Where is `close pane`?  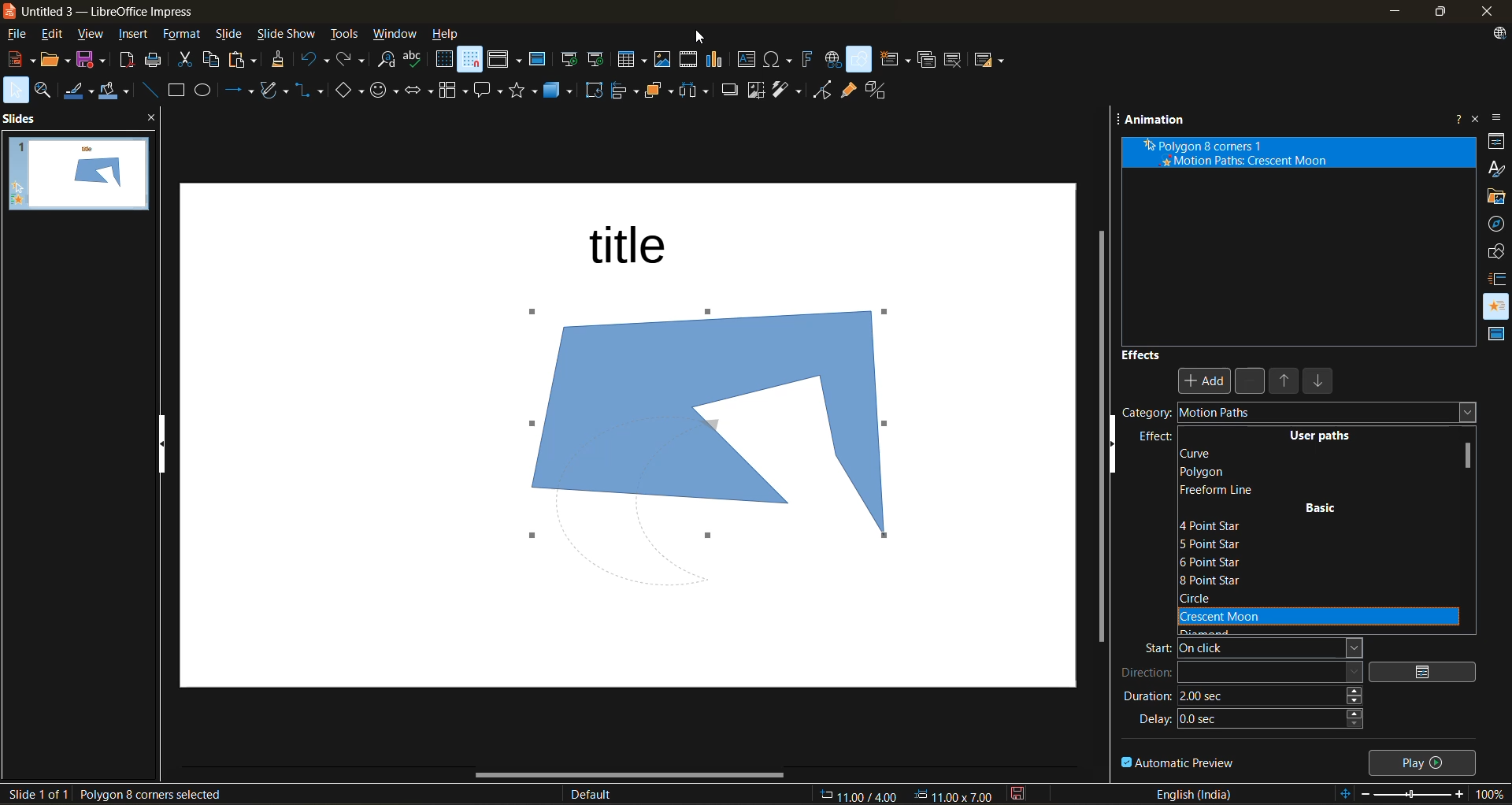
close pane is located at coordinates (157, 120).